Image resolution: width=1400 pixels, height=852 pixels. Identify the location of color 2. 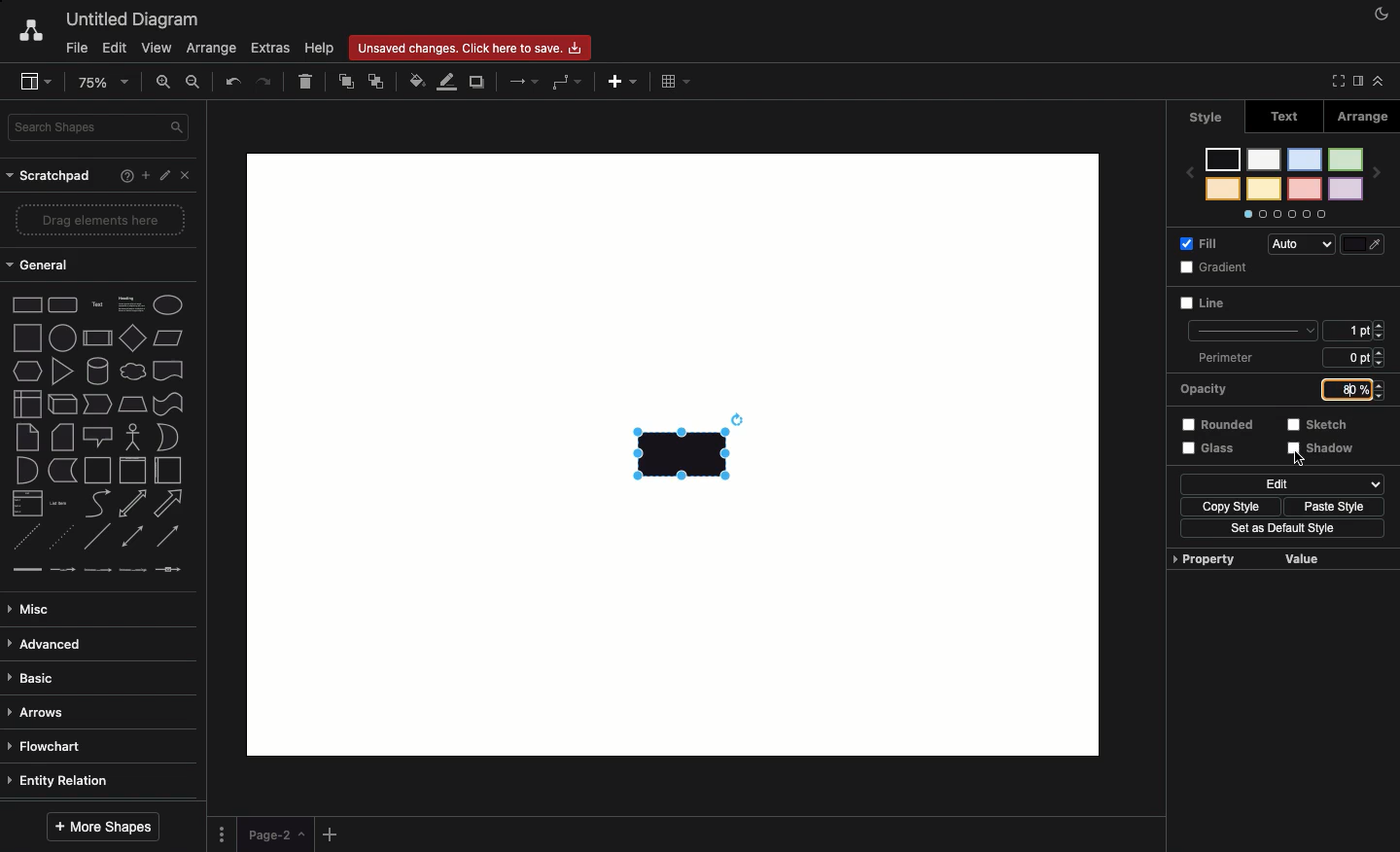
(1346, 189).